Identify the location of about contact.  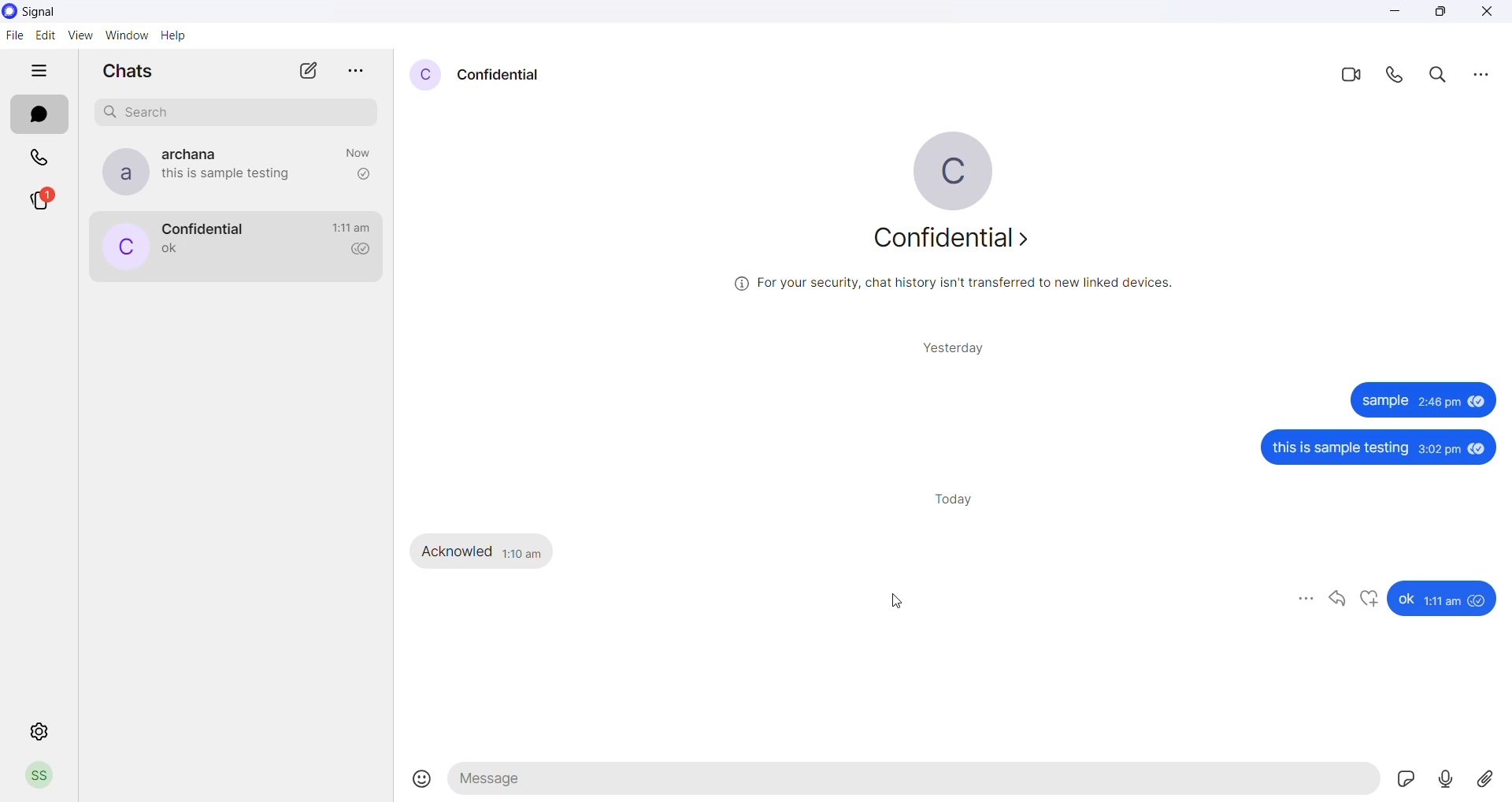
(958, 242).